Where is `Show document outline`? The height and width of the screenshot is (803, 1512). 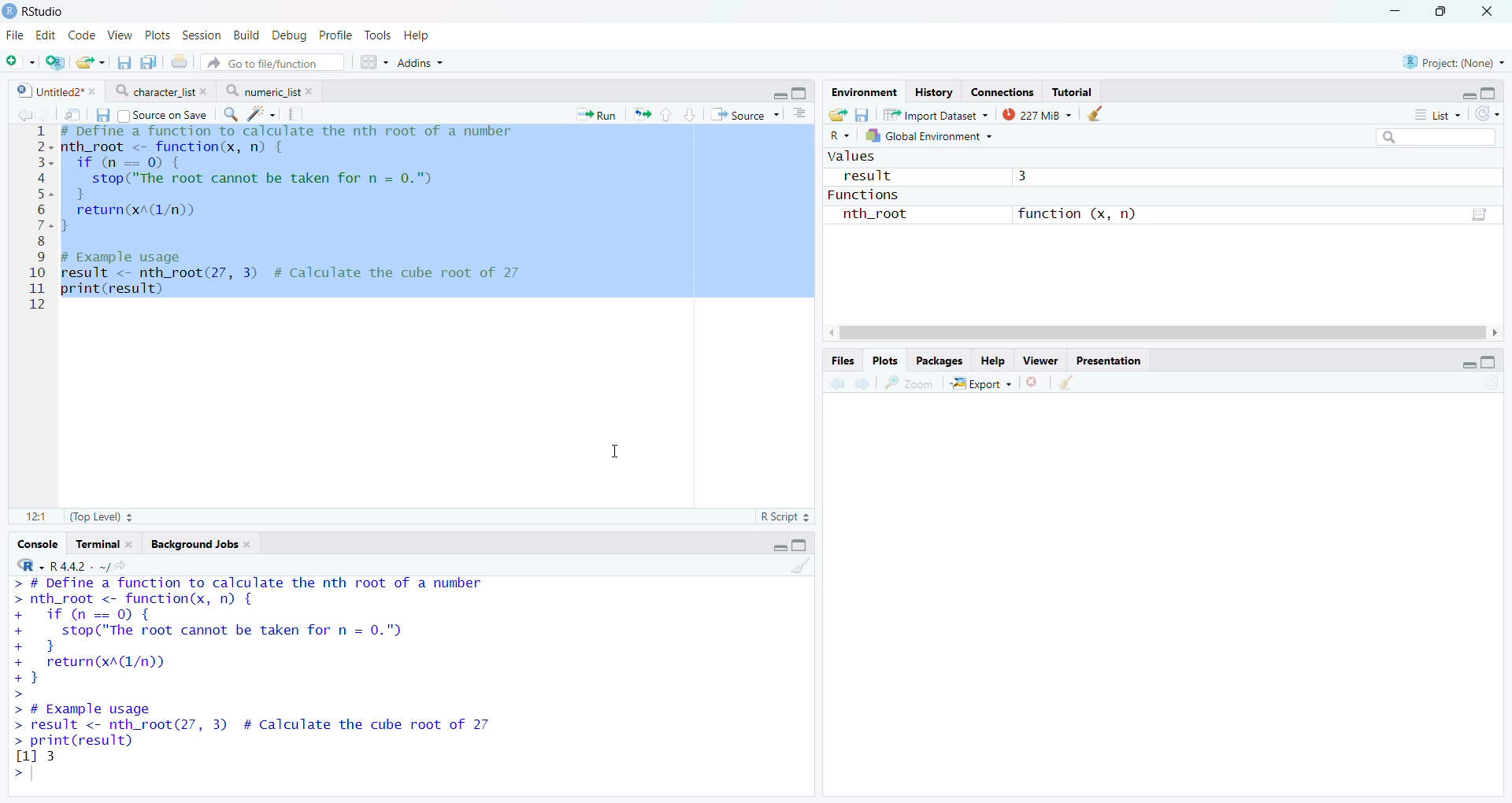
Show document outline is located at coordinates (801, 113).